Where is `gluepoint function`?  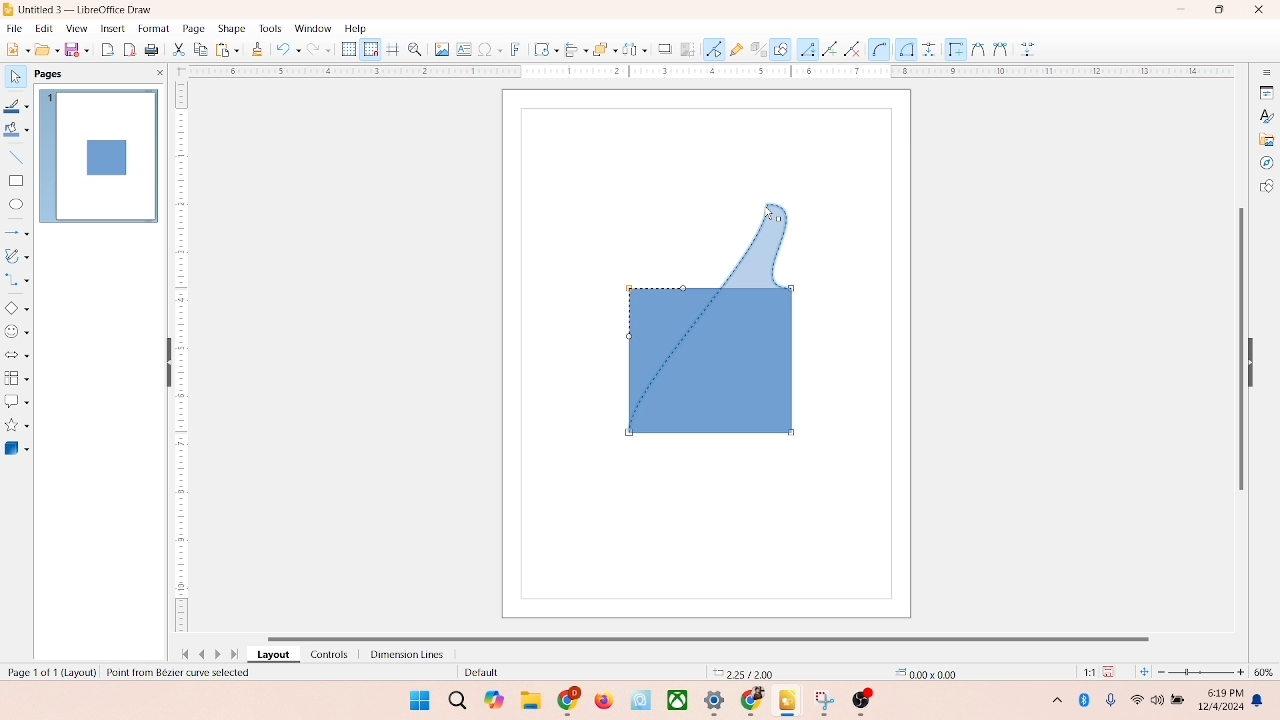 gluepoint function is located at coordinates (735, 50).